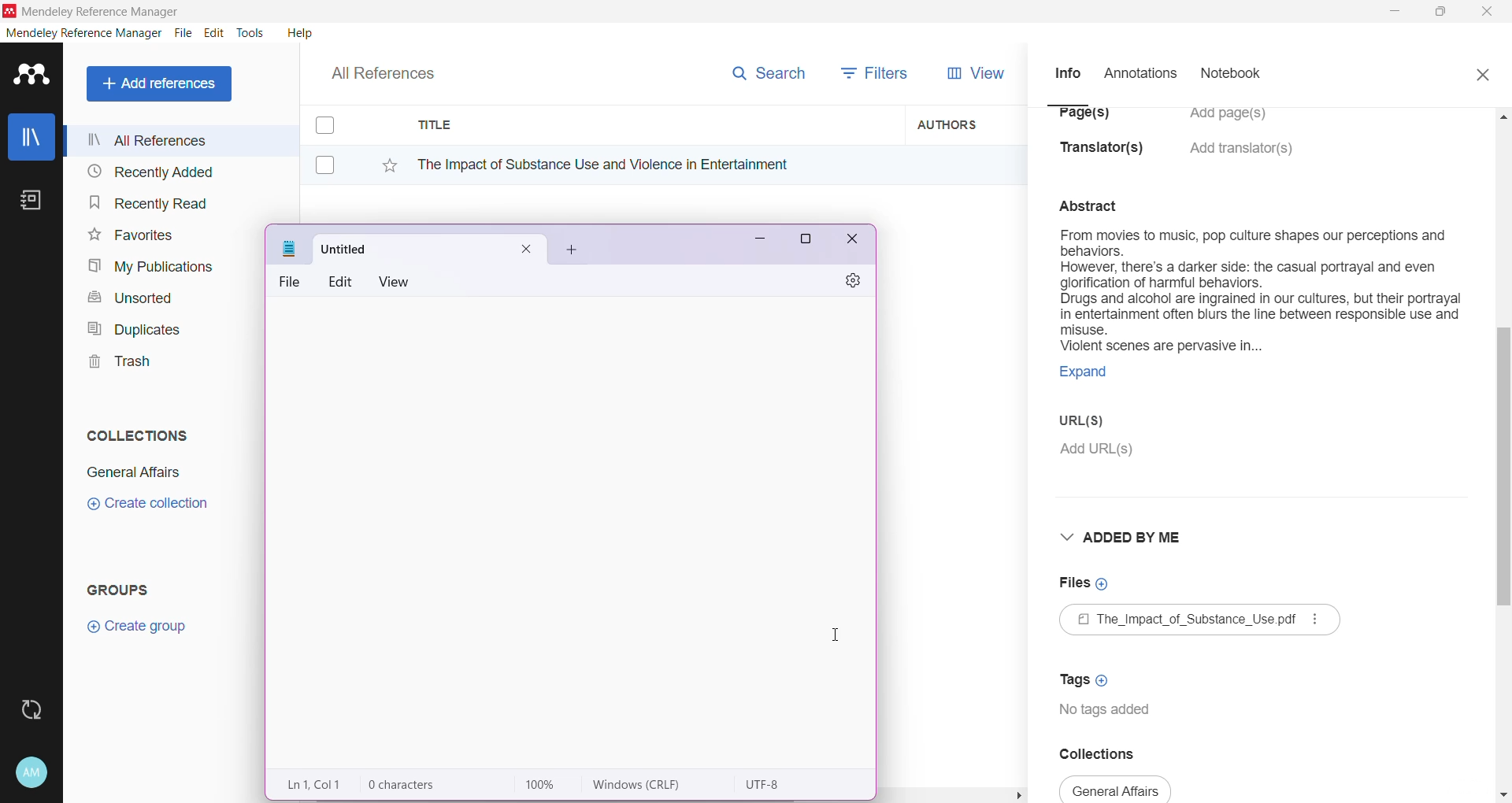  What do you see at coordinates (1202, 622) in the screenshot?
I see `Available File` at bounding box center [1202, 622].